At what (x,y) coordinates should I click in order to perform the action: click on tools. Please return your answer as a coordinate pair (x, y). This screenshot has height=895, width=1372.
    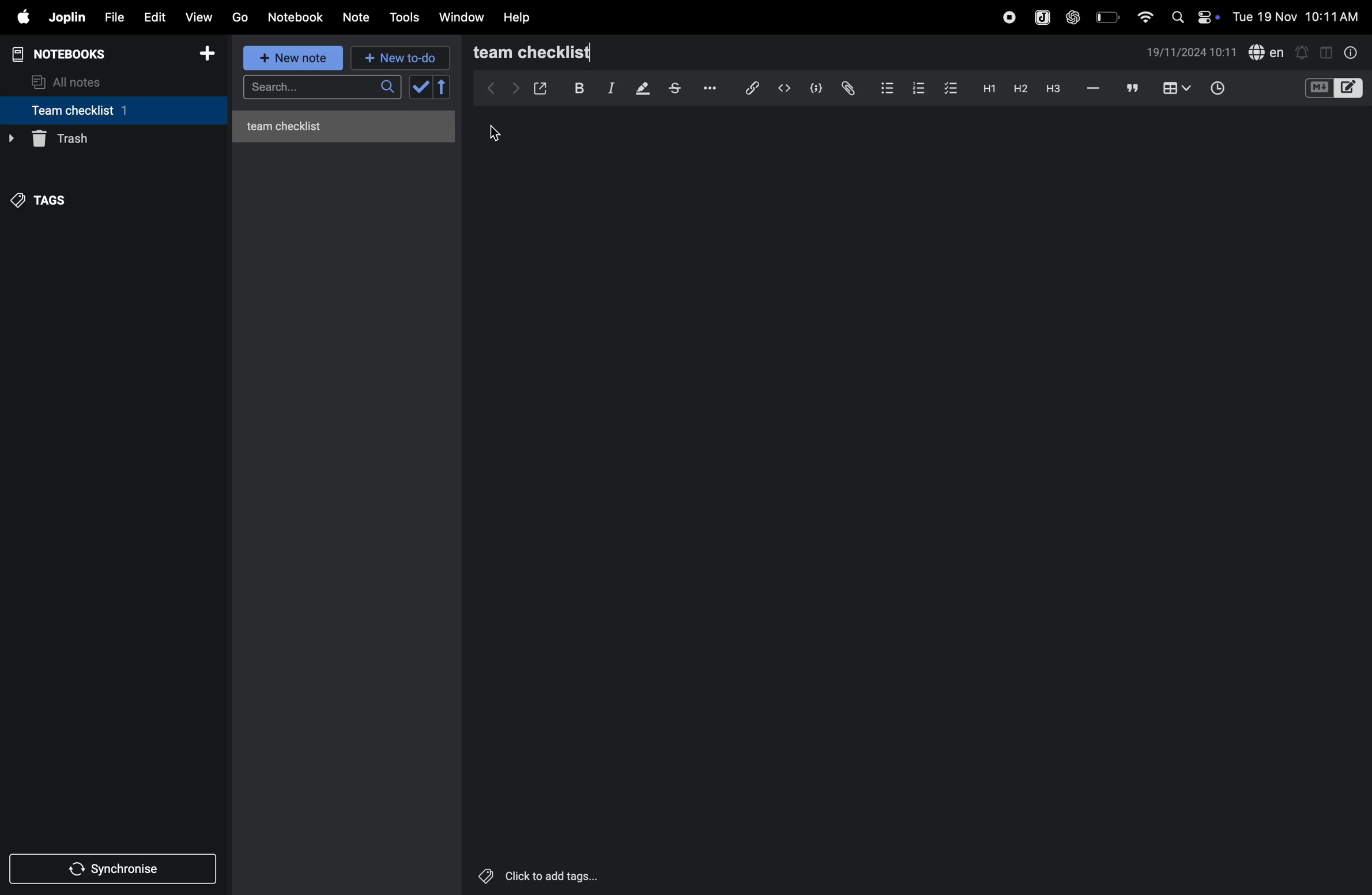
    Looking at the image, I should click on (406, 17).